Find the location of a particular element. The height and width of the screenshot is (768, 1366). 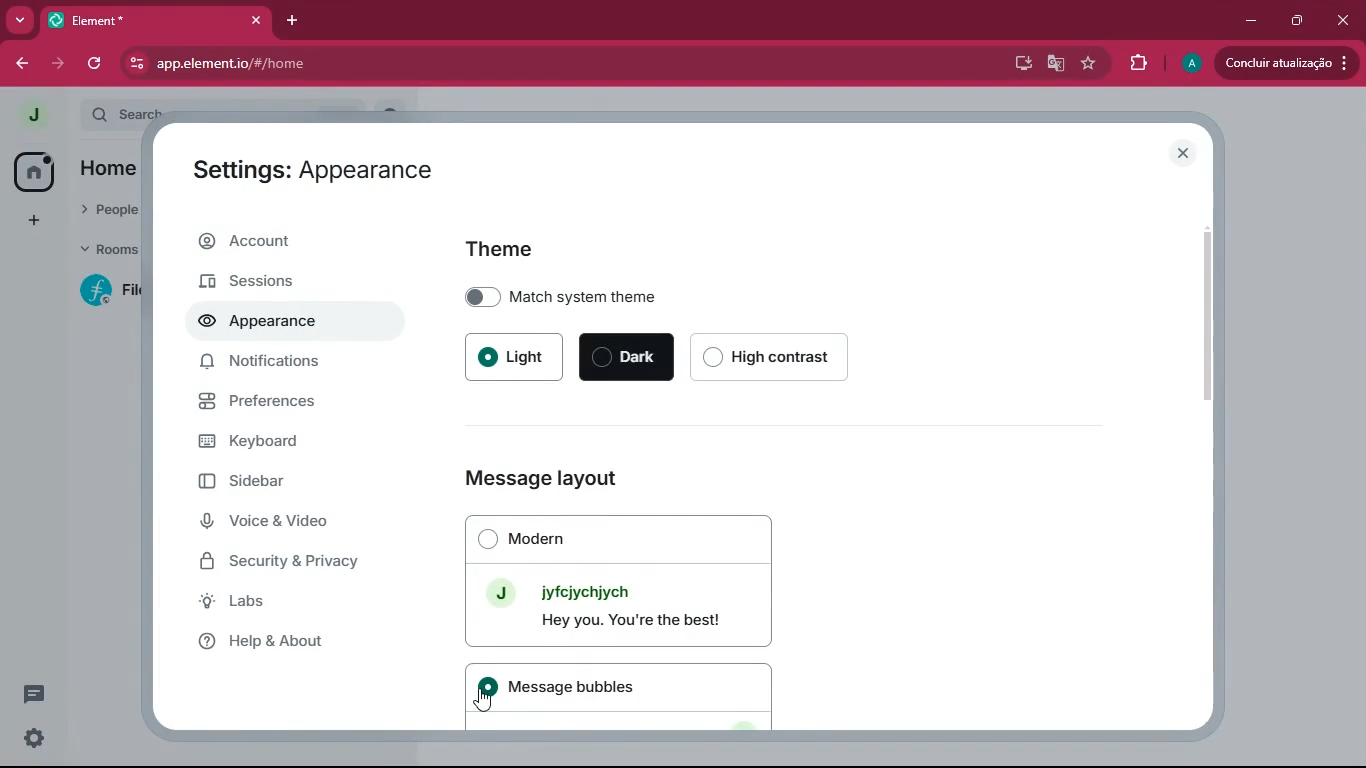

dark is located at coordinates (627, 357).